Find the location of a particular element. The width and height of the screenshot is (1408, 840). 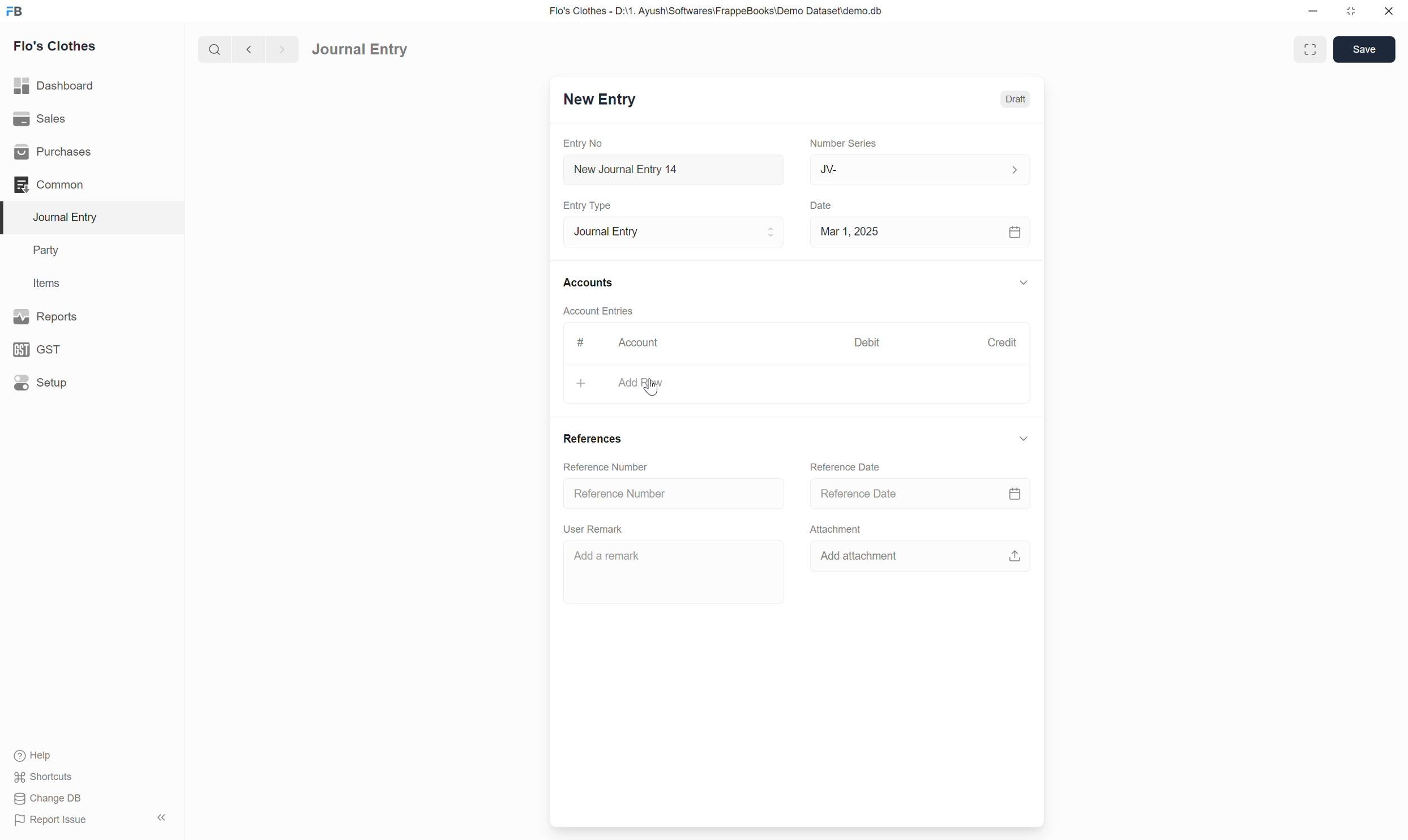

Shortcuts is located at coordinates (48, 777).